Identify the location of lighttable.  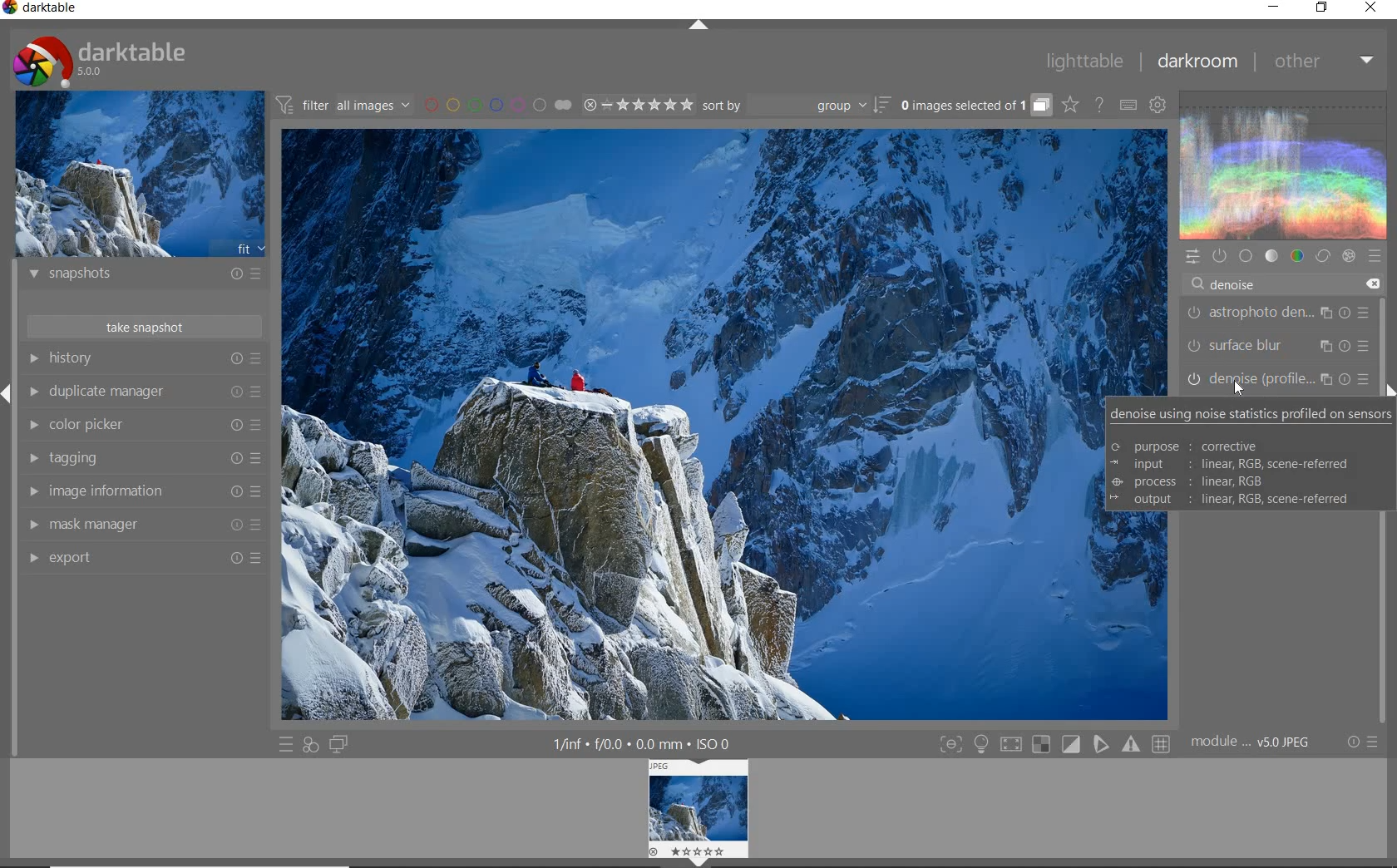
(1085, 60).